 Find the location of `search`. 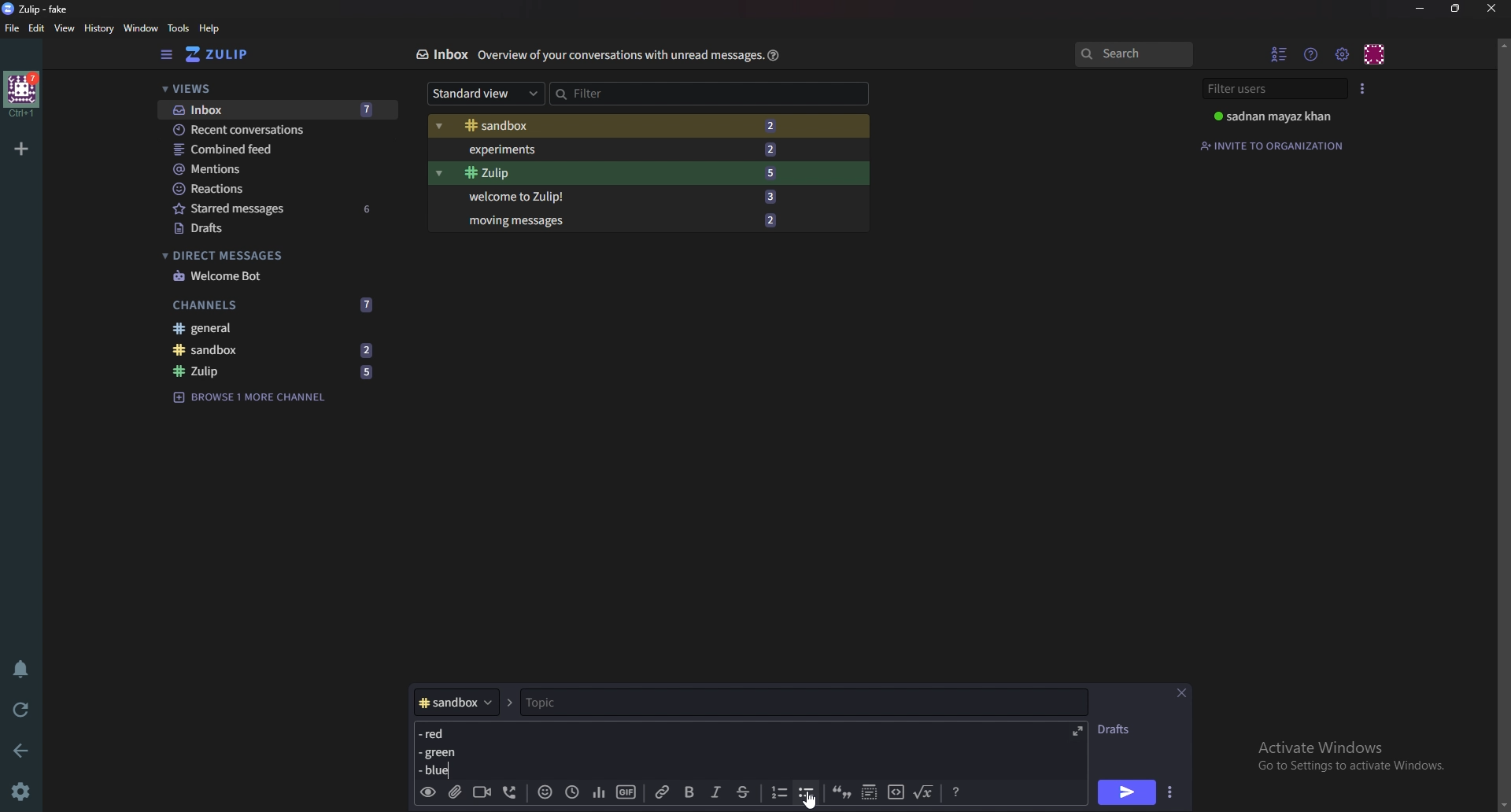

search is located at coordinates (1132, 54).